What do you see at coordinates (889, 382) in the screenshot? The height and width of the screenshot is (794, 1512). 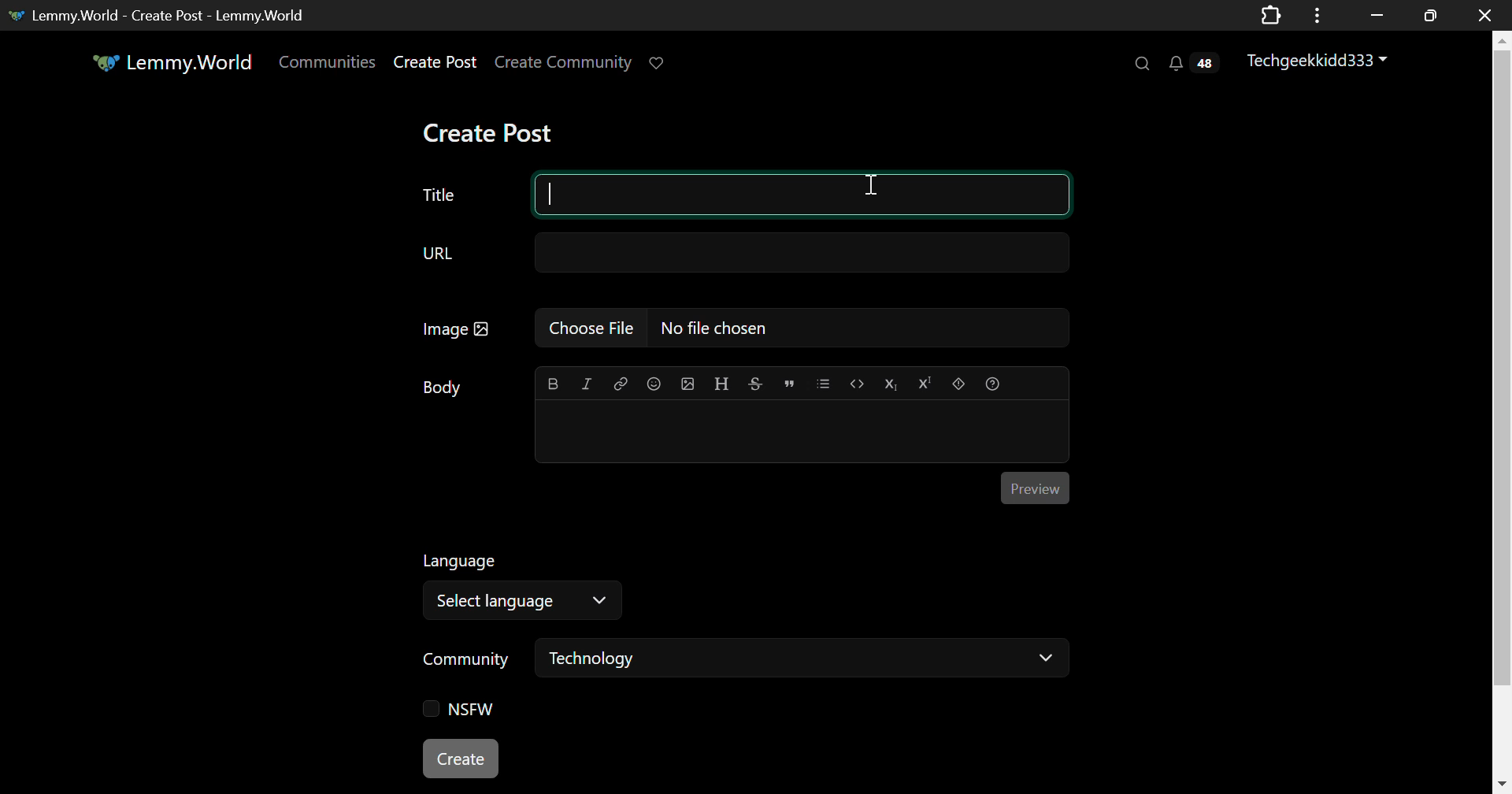 I see `subscript` at bounding box center [889, 382].